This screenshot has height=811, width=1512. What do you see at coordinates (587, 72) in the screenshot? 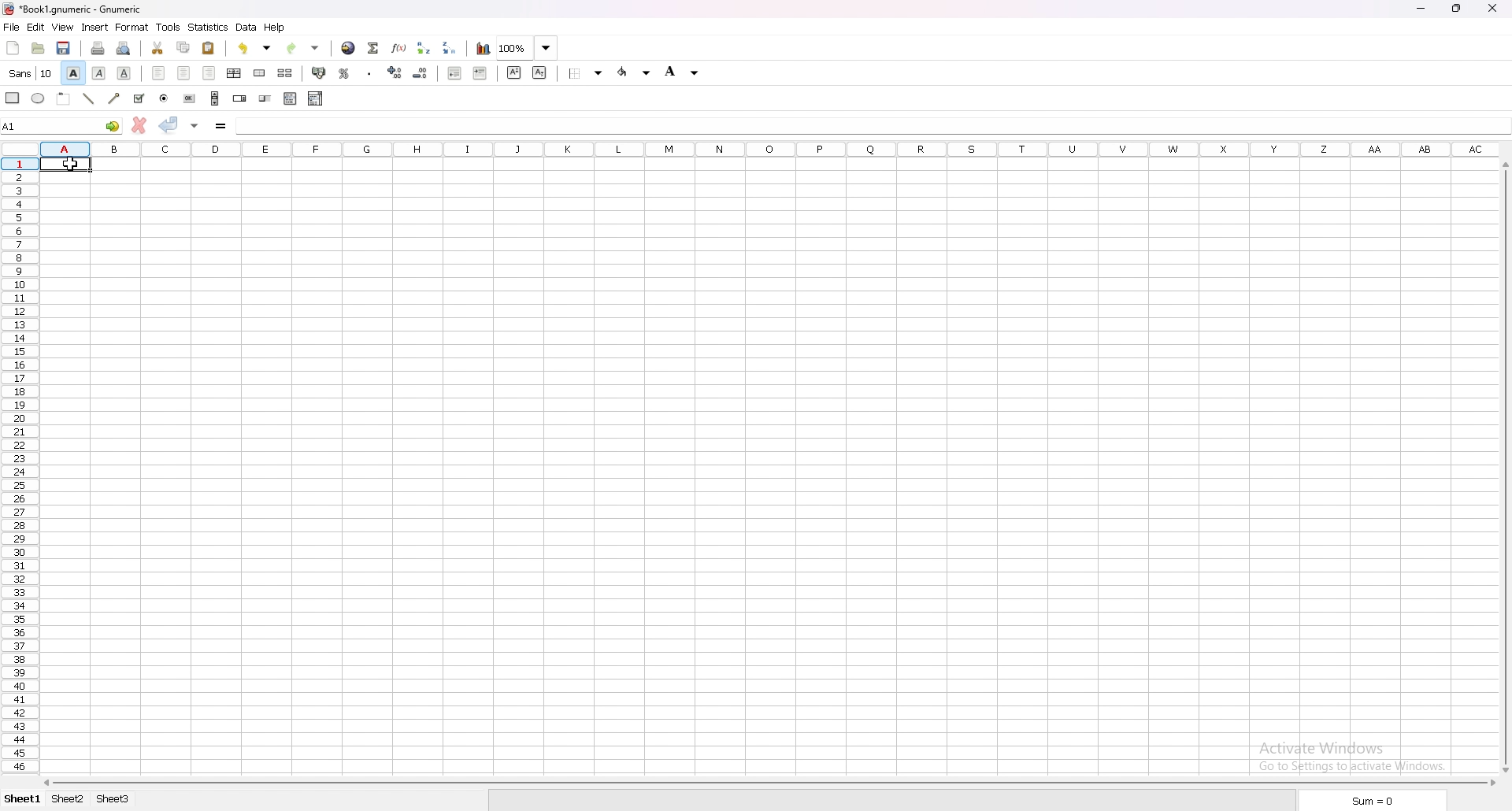
I see `border` at bounding box center [587, 72].